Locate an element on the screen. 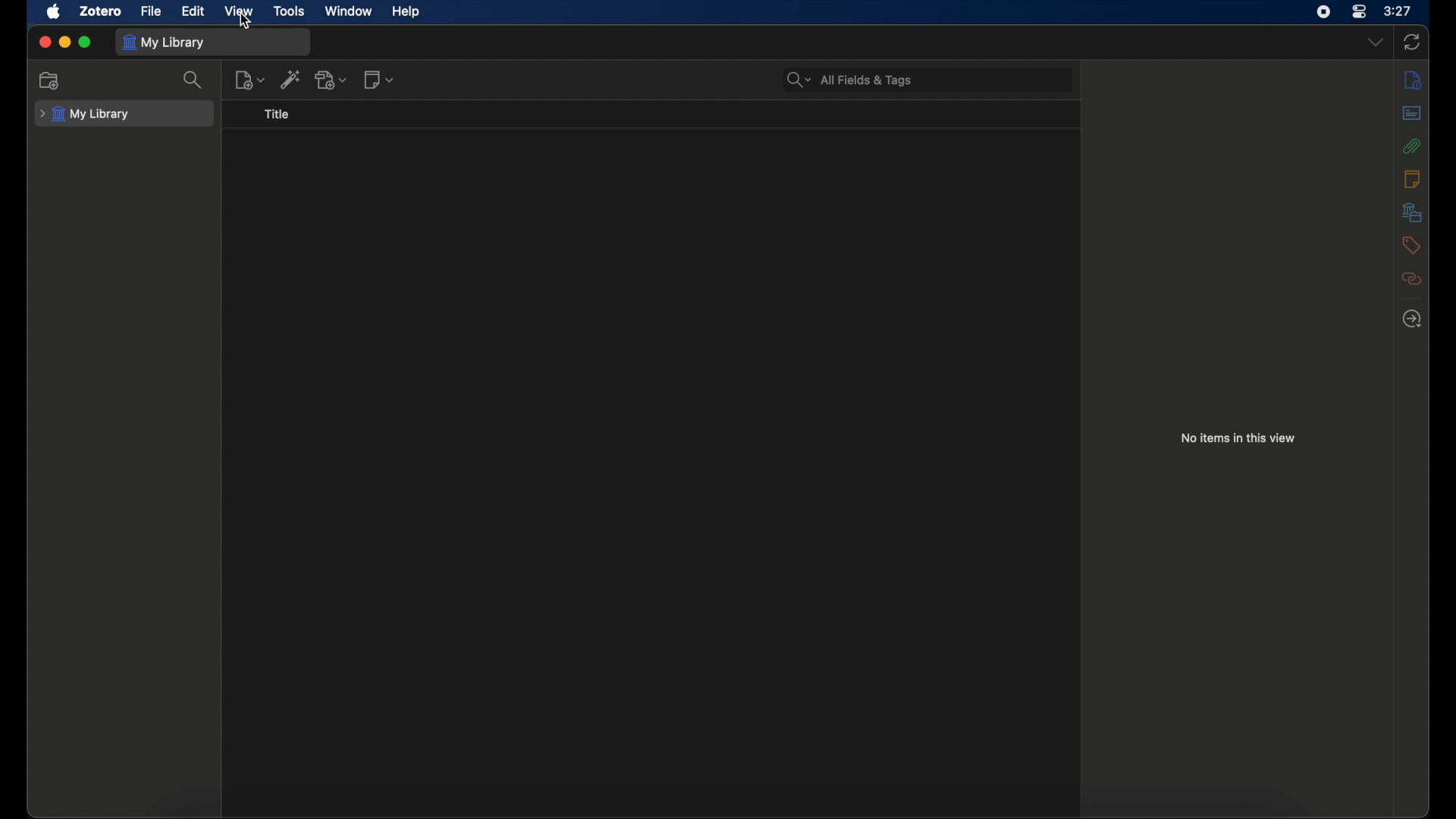 The width and height of the screenshot is (1456, 819). add attachments is located at coordinates (331, 80).